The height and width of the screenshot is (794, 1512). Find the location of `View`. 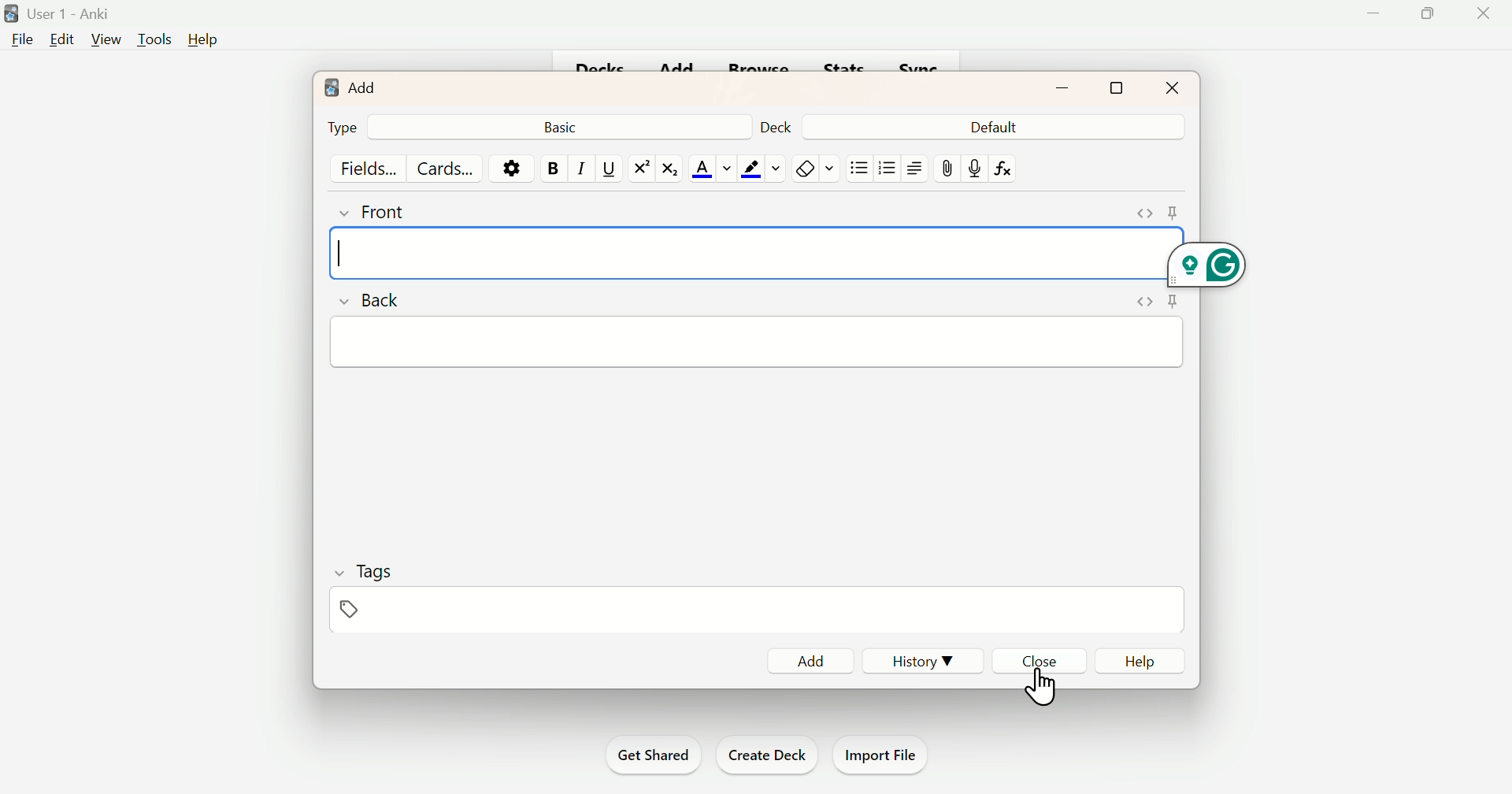

View is located at coordinates (104, 40).